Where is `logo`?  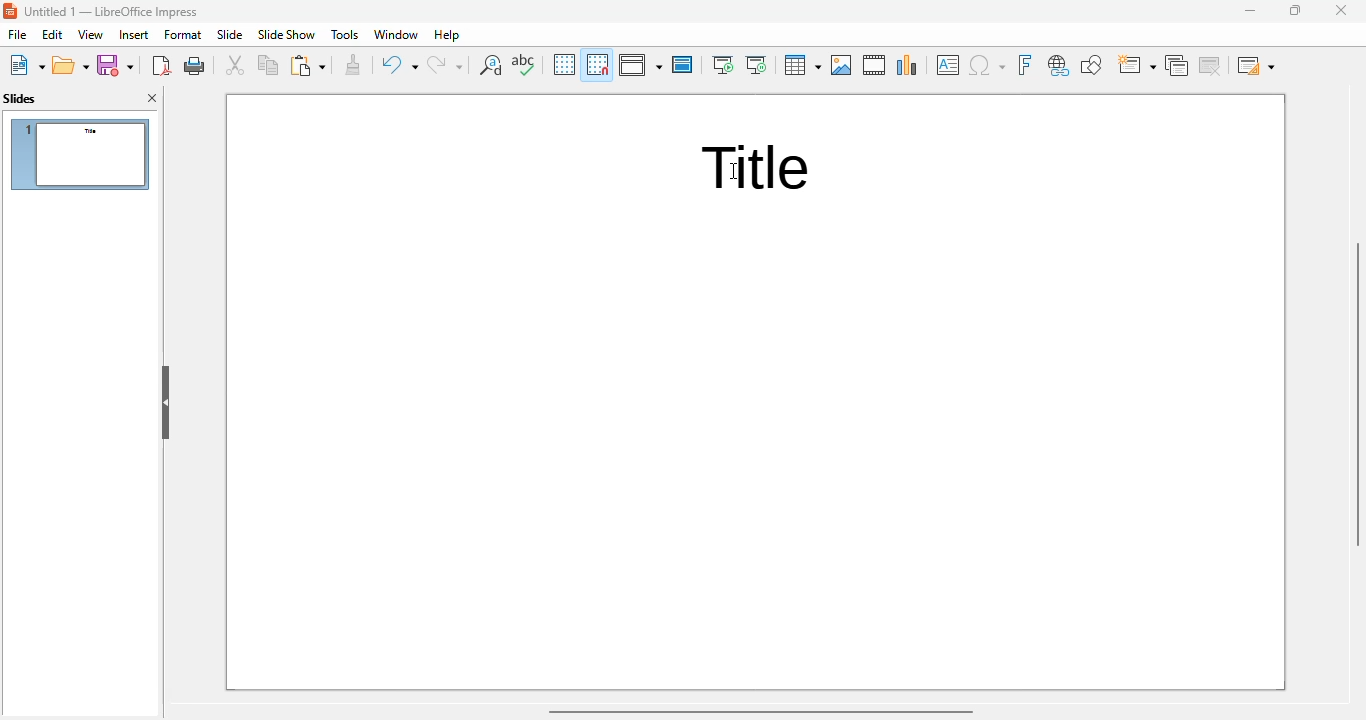 logo is located at coordinates (11, 11).